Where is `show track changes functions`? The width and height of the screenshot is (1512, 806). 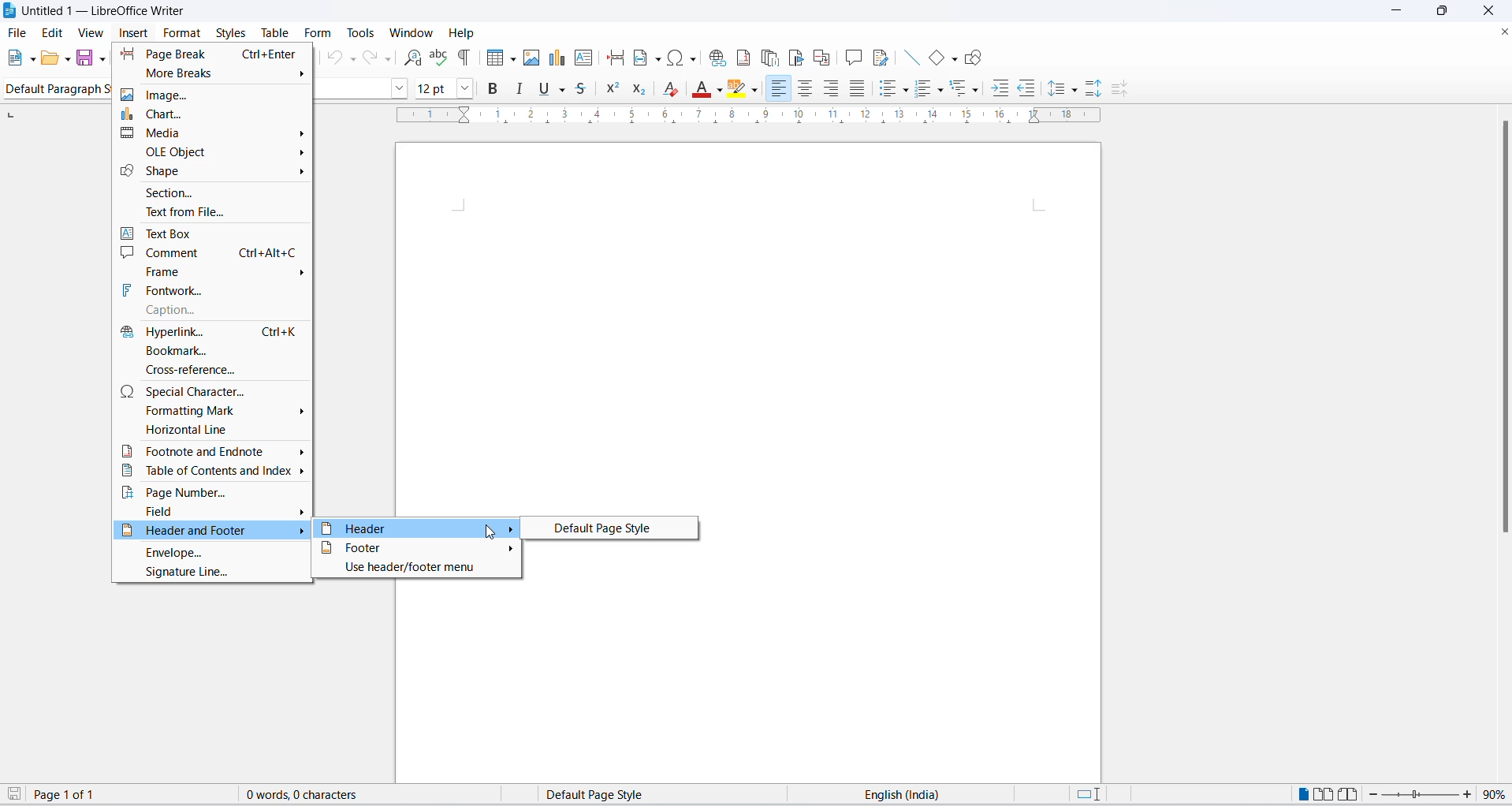 show track changes functions is located at coordinates (879, 57).